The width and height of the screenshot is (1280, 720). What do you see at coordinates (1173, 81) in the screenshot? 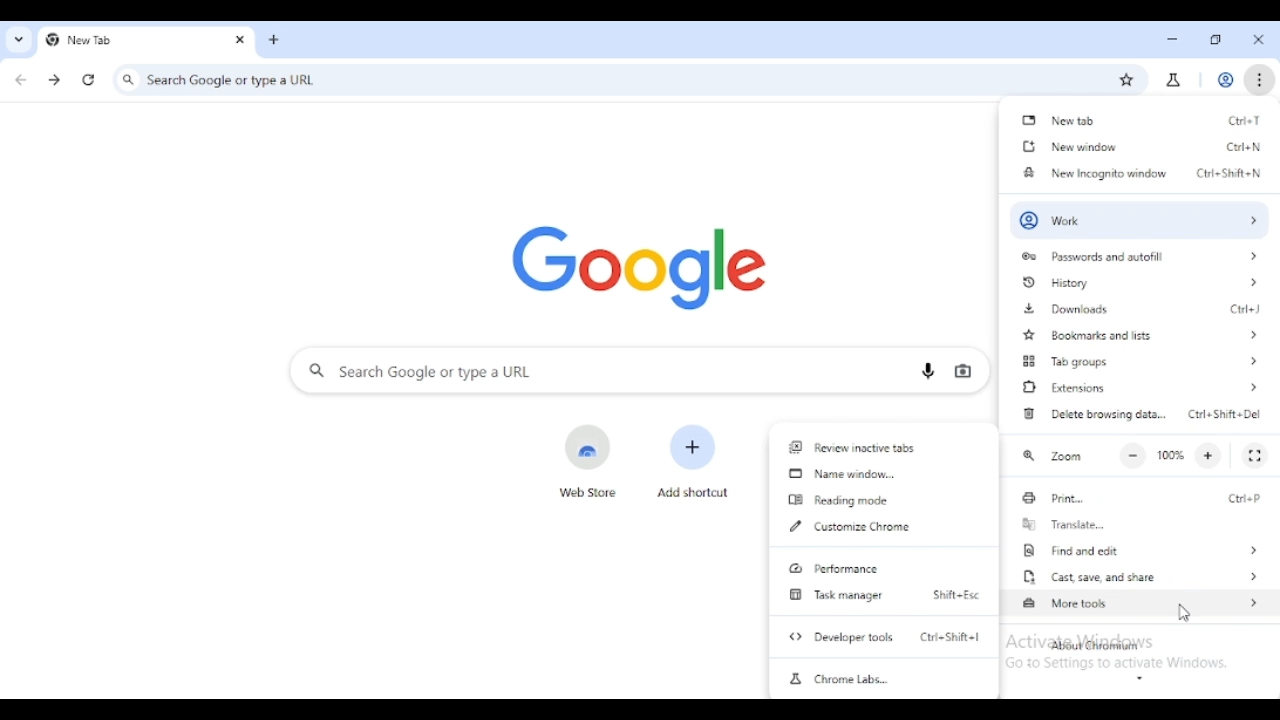
I see `chrome labs` at bounding box center [1173, 81].